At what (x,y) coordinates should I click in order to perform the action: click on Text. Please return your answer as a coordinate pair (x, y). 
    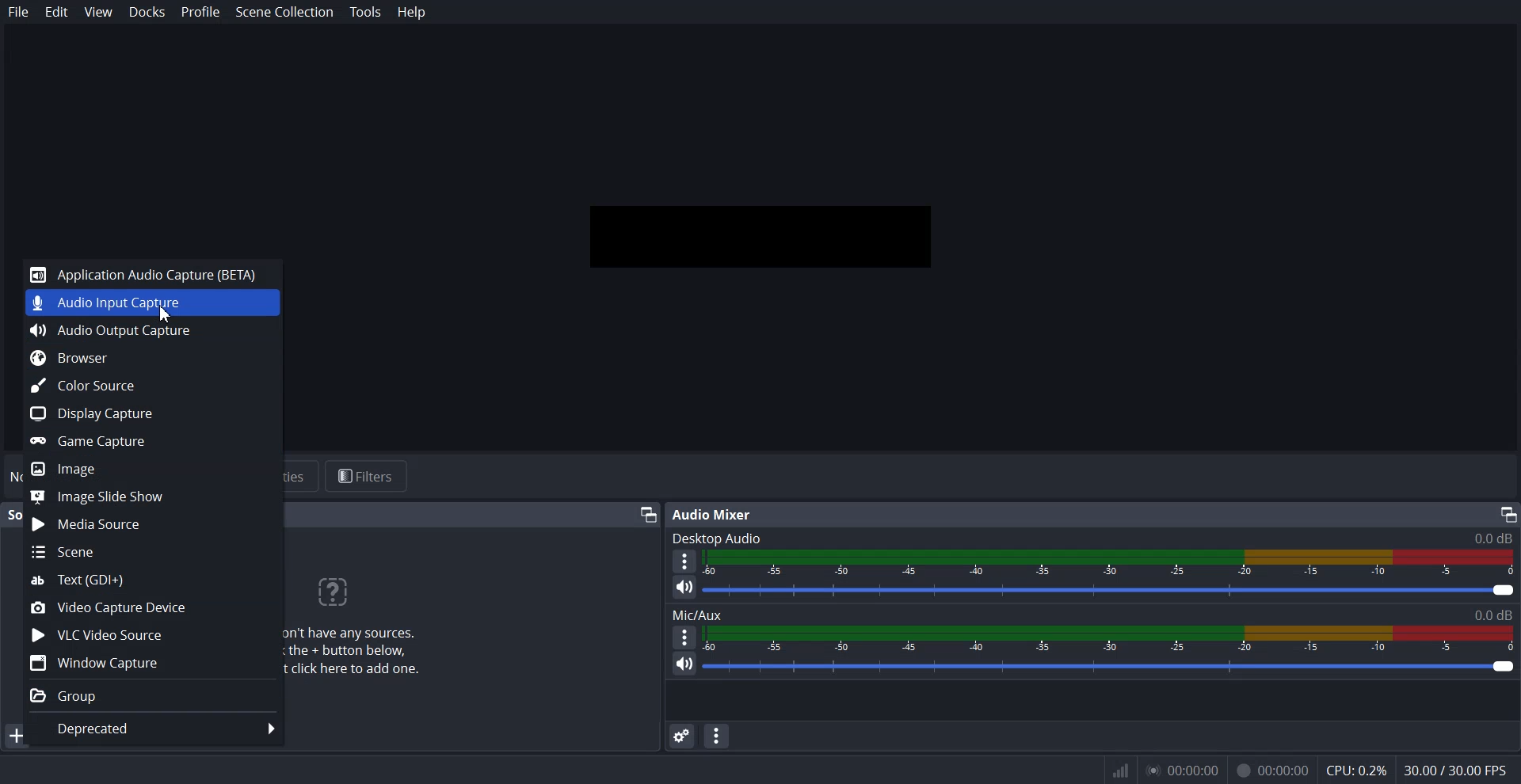
    Looking at the image, I should click on (1094, 538).